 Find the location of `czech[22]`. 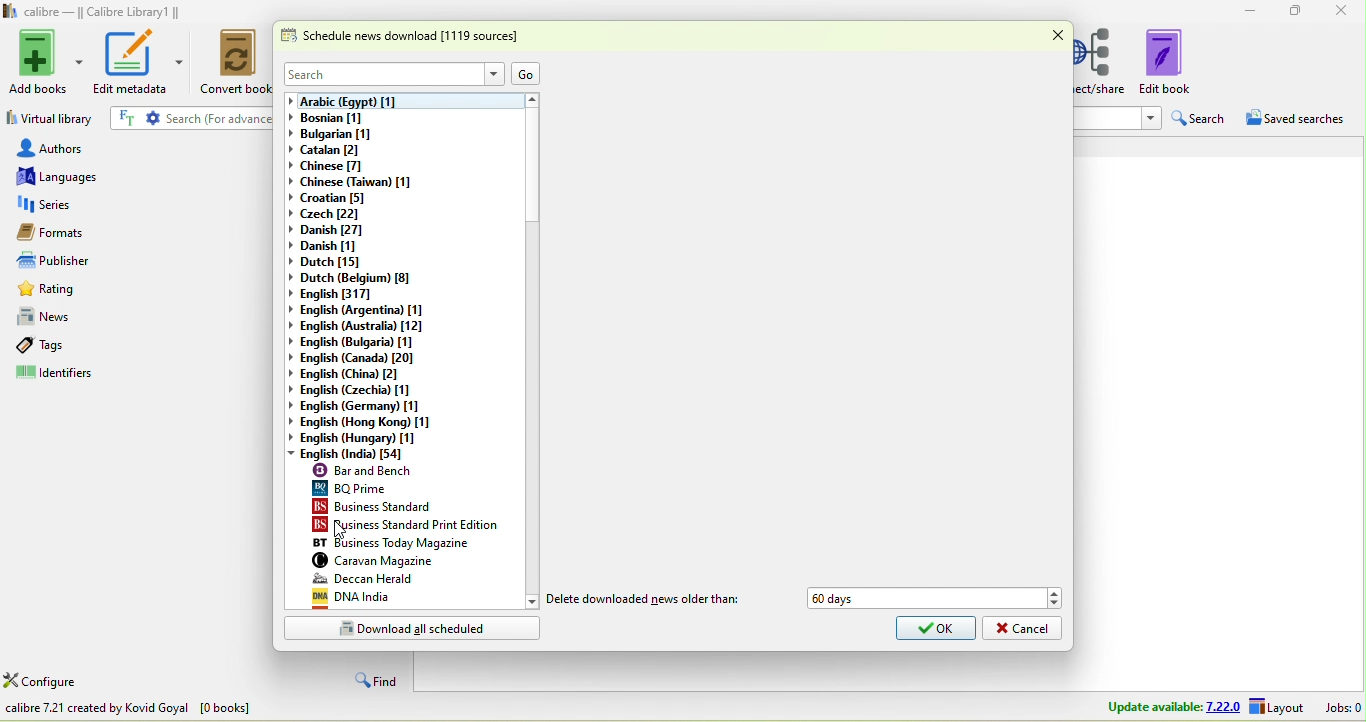

czech[22] is located at coordinates (332, 213).